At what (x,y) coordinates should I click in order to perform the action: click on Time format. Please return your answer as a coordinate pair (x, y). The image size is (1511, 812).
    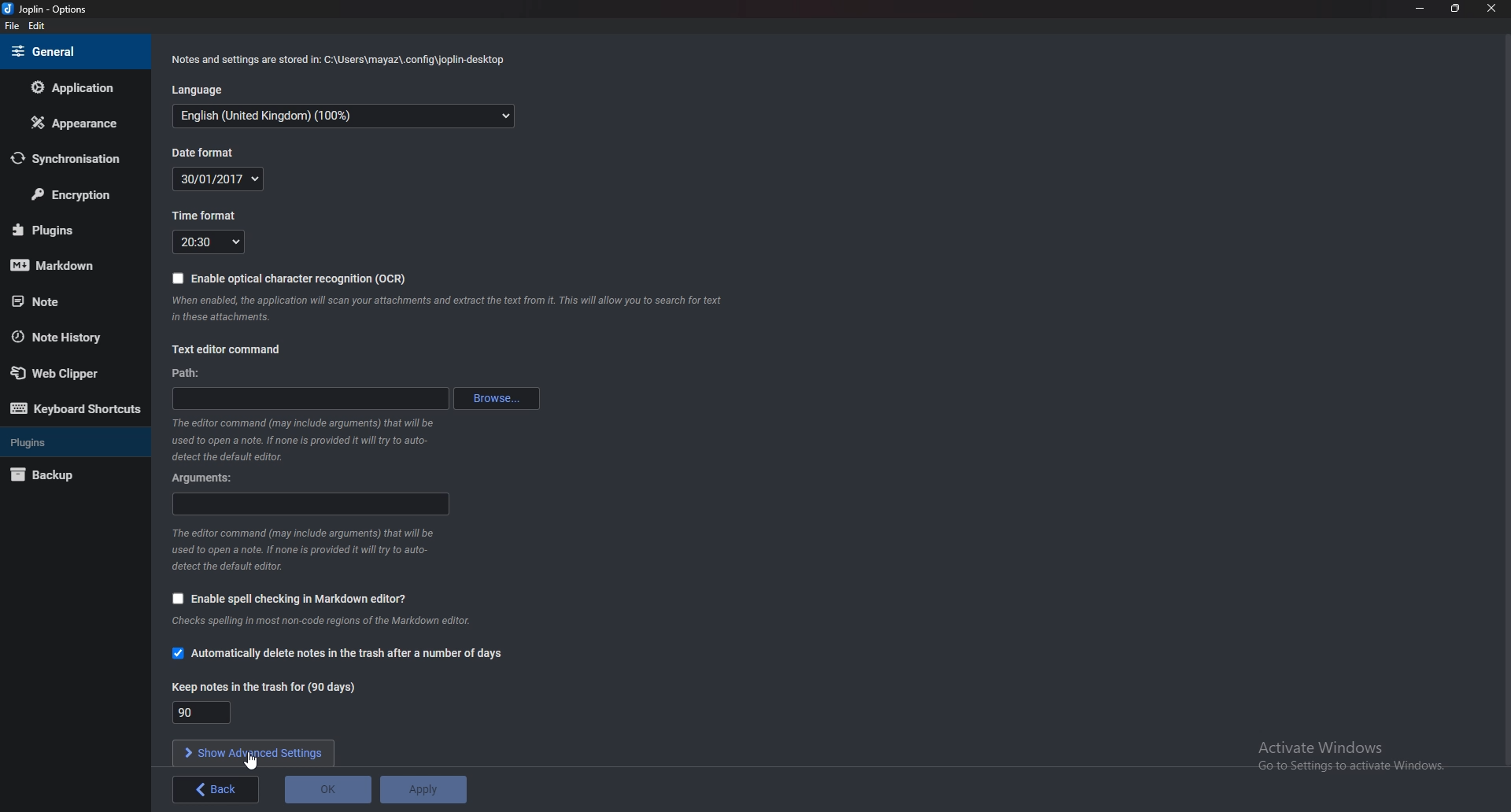
    Looking at the image, I should click on (216, 214).